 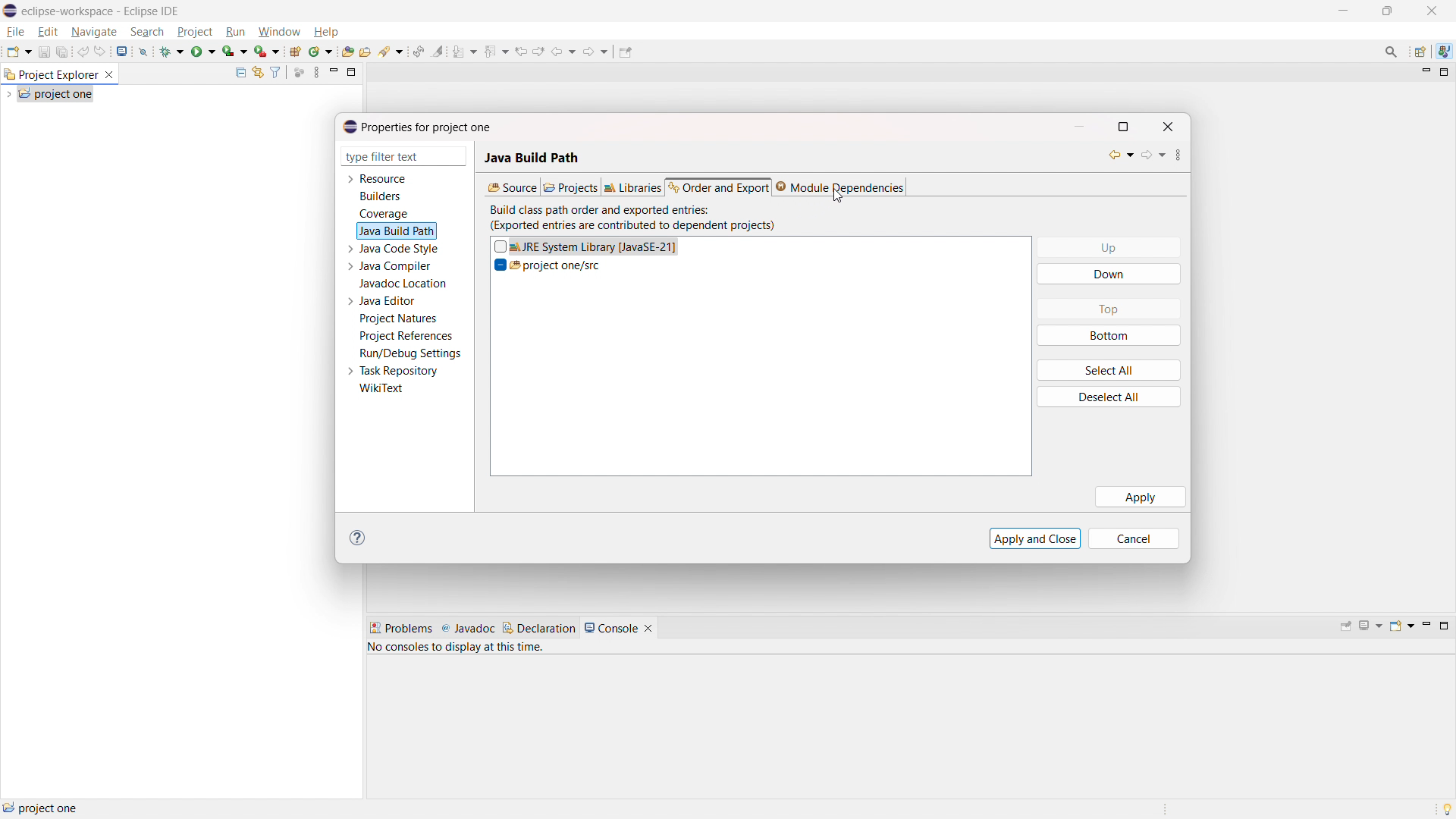 What do you see at coordinates (56, 93) in the screenshot?
I see `project one` at bounding box center [56, 93].